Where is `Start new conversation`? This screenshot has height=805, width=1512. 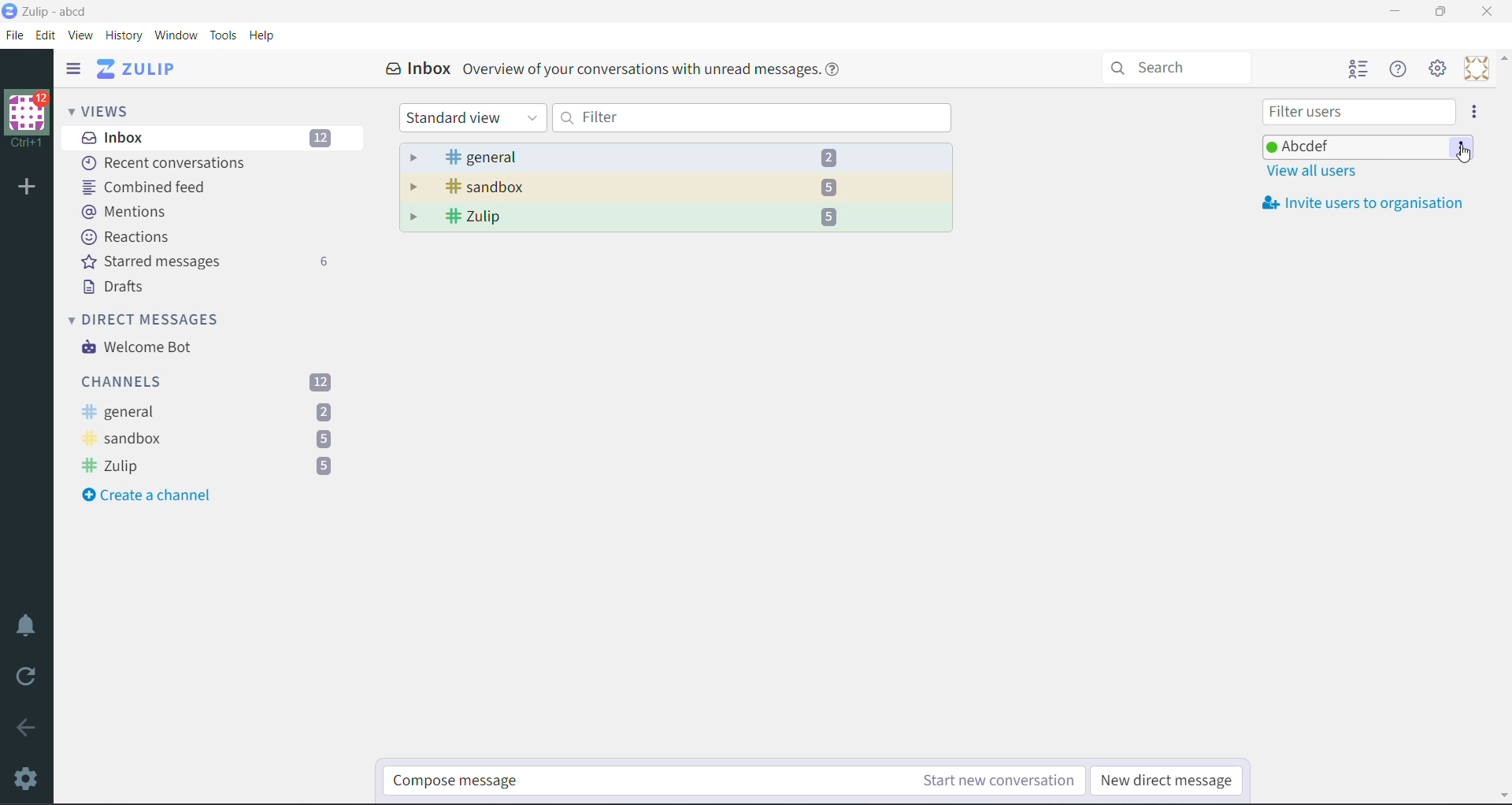
Start new conversation is located at coordinates (962, 781).